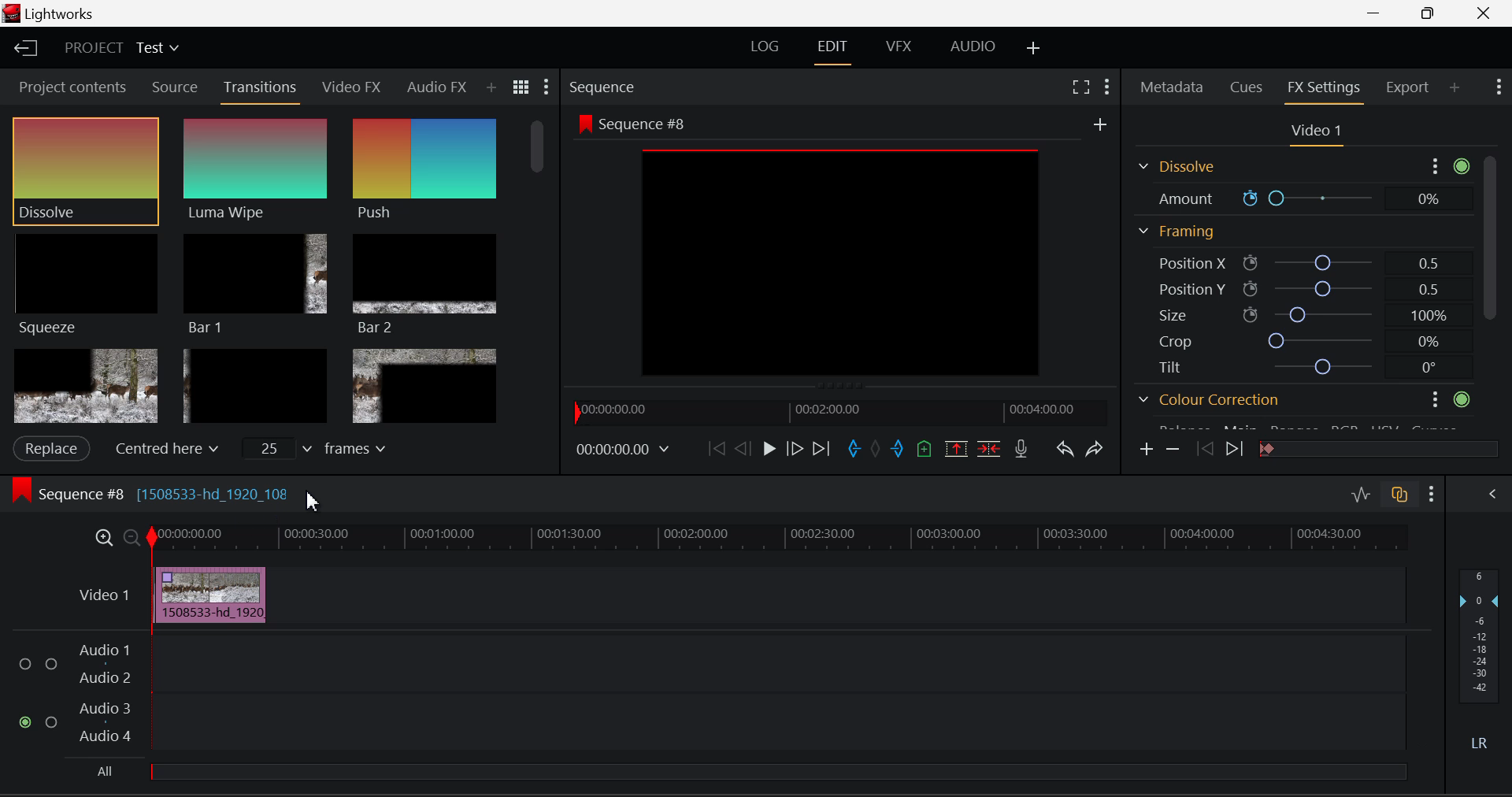 The width and height of the screenshot is (1512, 797). What do you see at coordinates (261, 89) in the screenshot?
I see `Cursor on Transitions` at bounding box center [261, 89].